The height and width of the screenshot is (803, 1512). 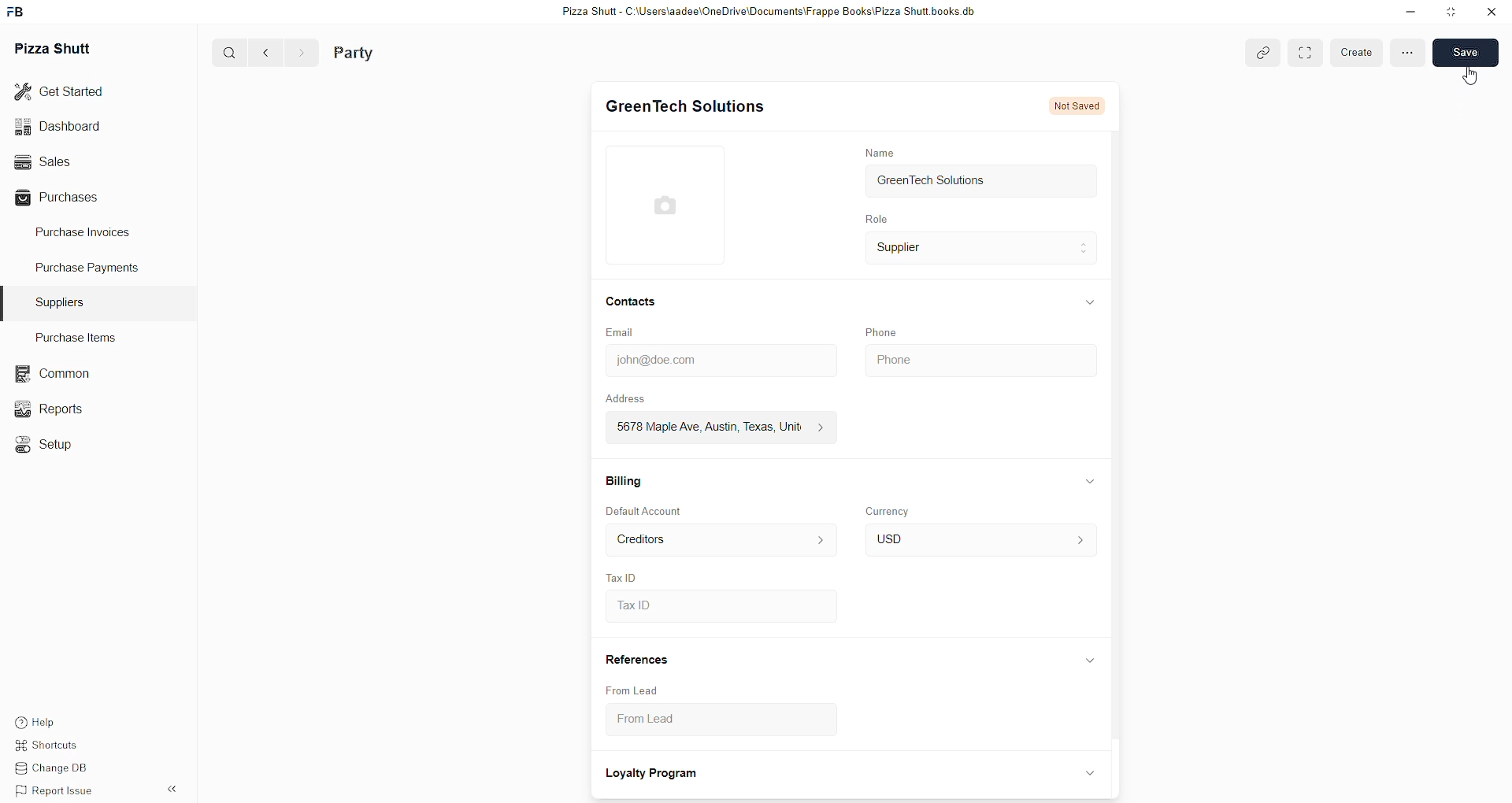 What do you see at coordinates (224, 54) in the screenshot?
I see `search` at bounding box center [224, 54].